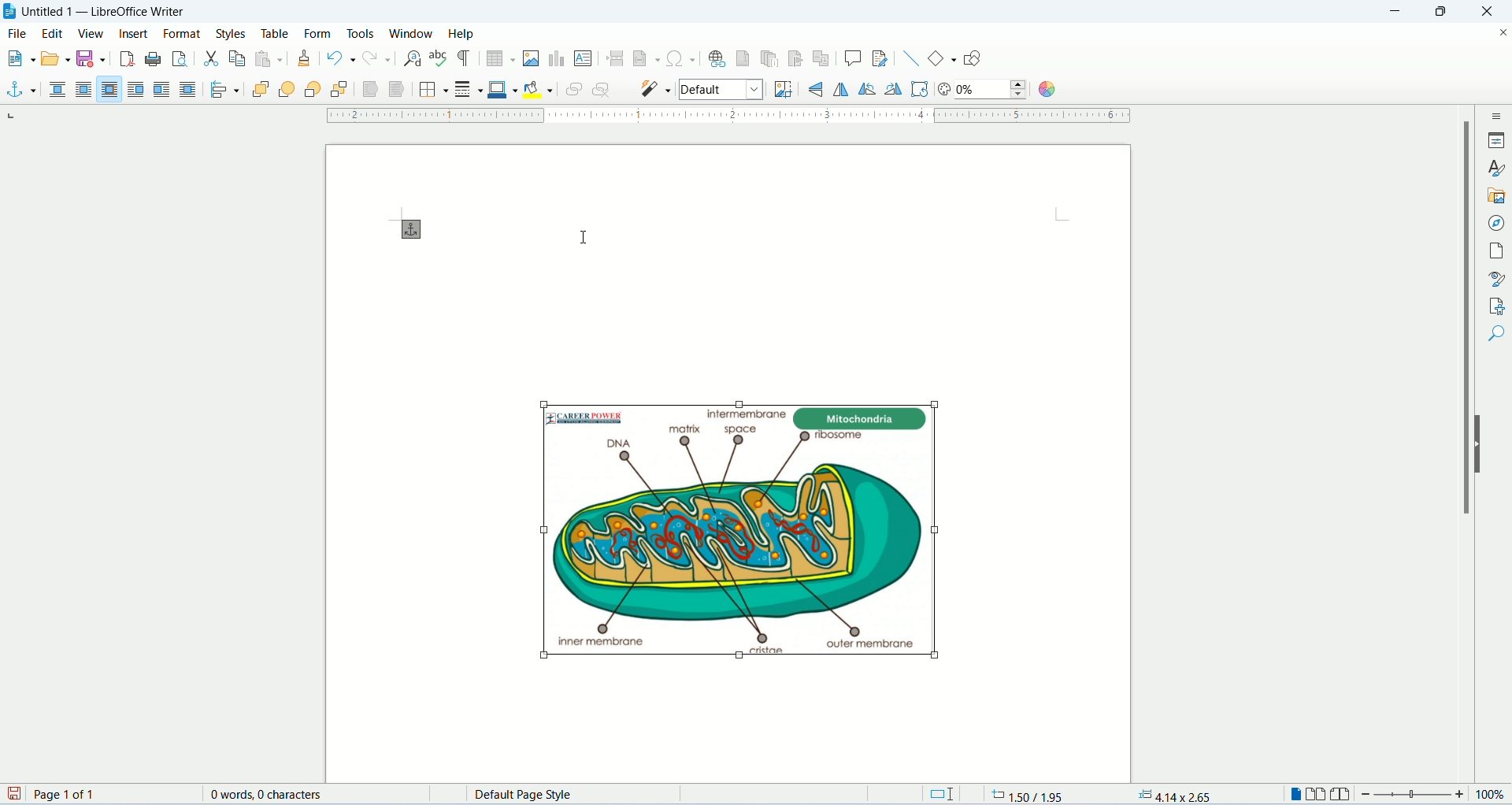 The width and height of the screenshot is (1512, 805). What do you see at coordinates (1503, 34) in the screenshot?
I see `close document` at bounding box center [1503, 34].